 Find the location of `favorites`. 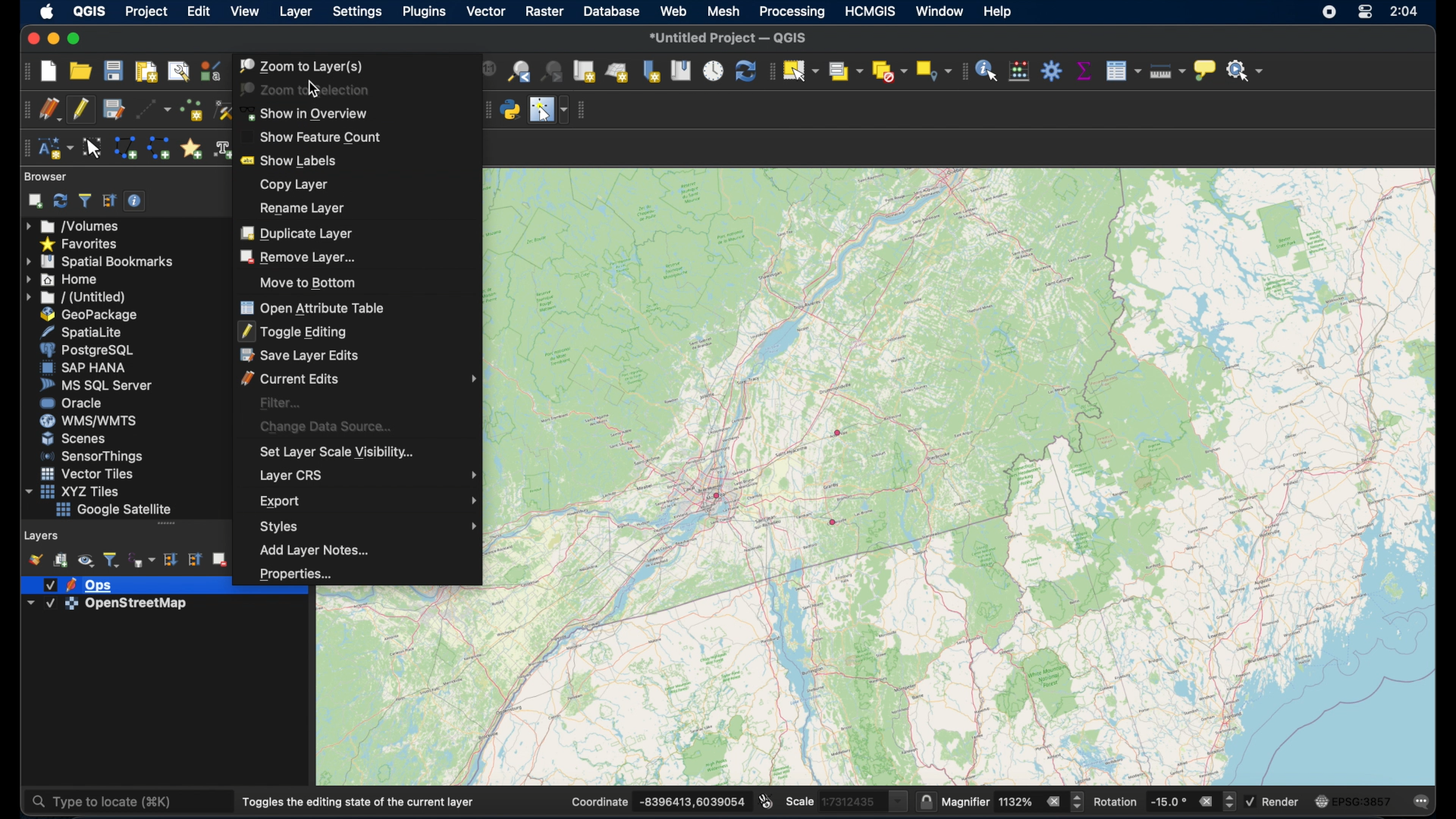

favorites is located at coordinates (81, 243).